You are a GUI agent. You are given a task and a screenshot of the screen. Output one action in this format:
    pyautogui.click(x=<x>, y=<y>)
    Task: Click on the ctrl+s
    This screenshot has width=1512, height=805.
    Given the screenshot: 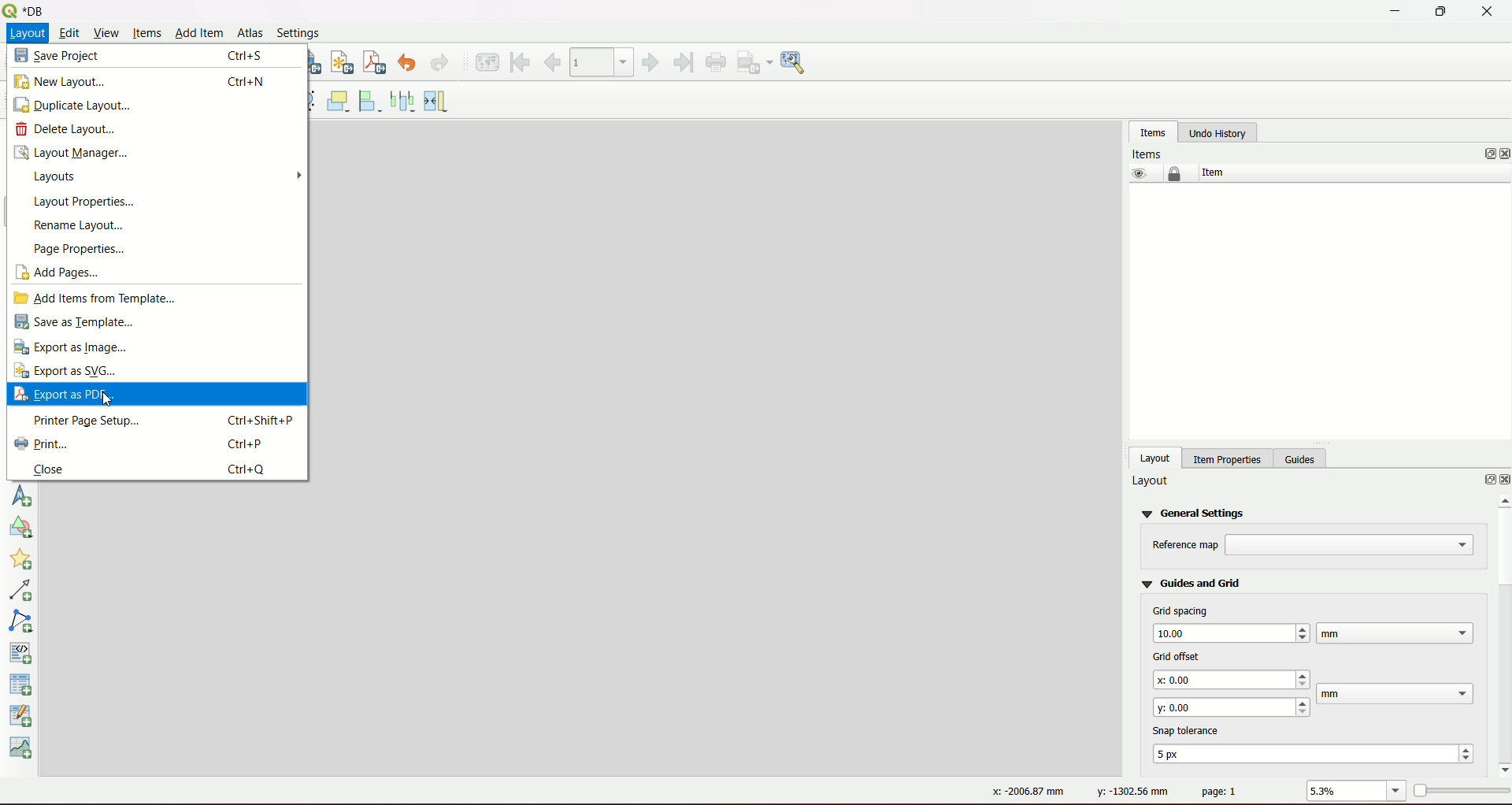 What is the action you would take?
    pyautogui.click(x=250, y=55)
    